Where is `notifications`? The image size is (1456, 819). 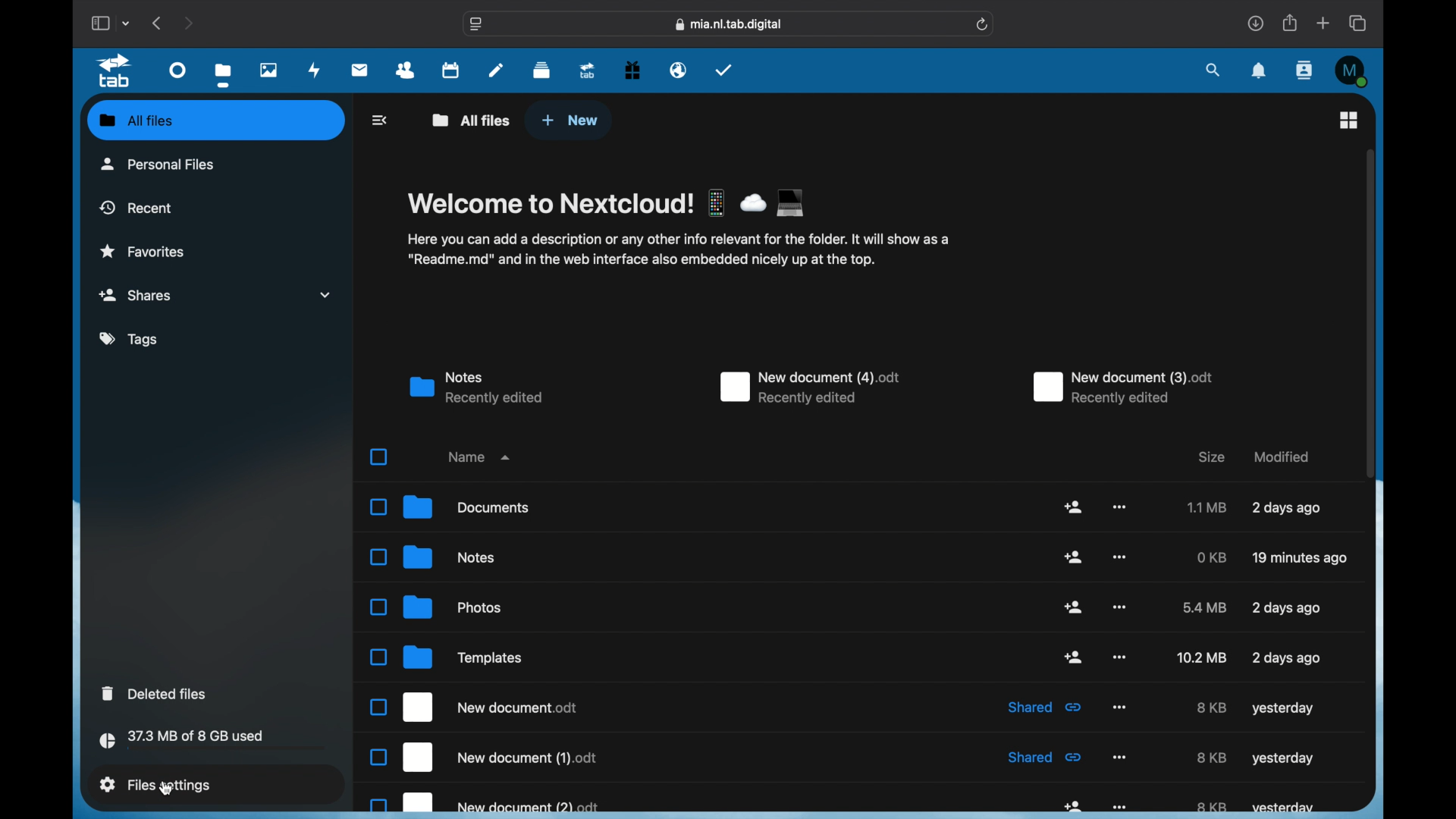 notifications is located at coordinates (1259, 71).